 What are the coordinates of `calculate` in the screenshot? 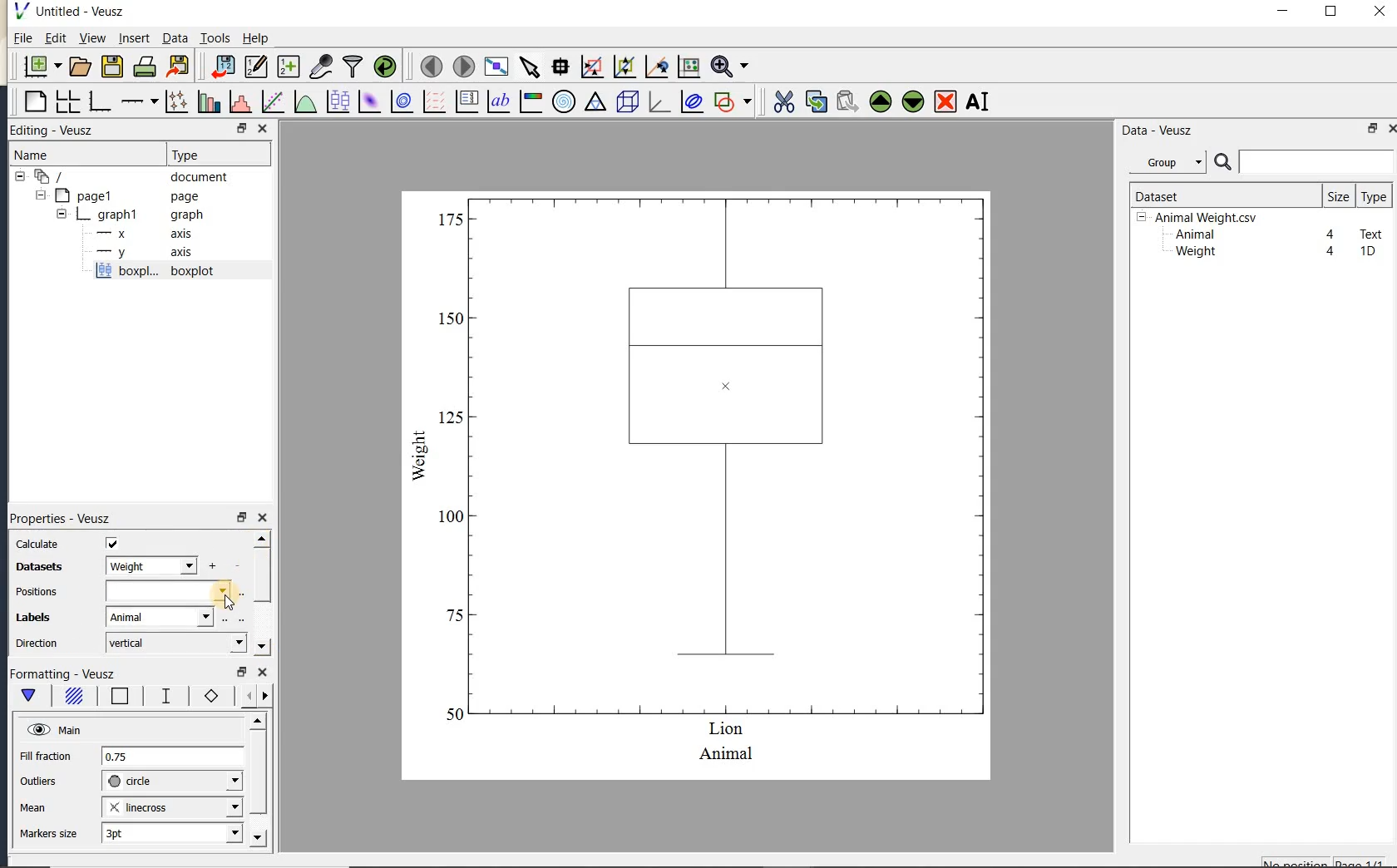 It's located at (39, 545).